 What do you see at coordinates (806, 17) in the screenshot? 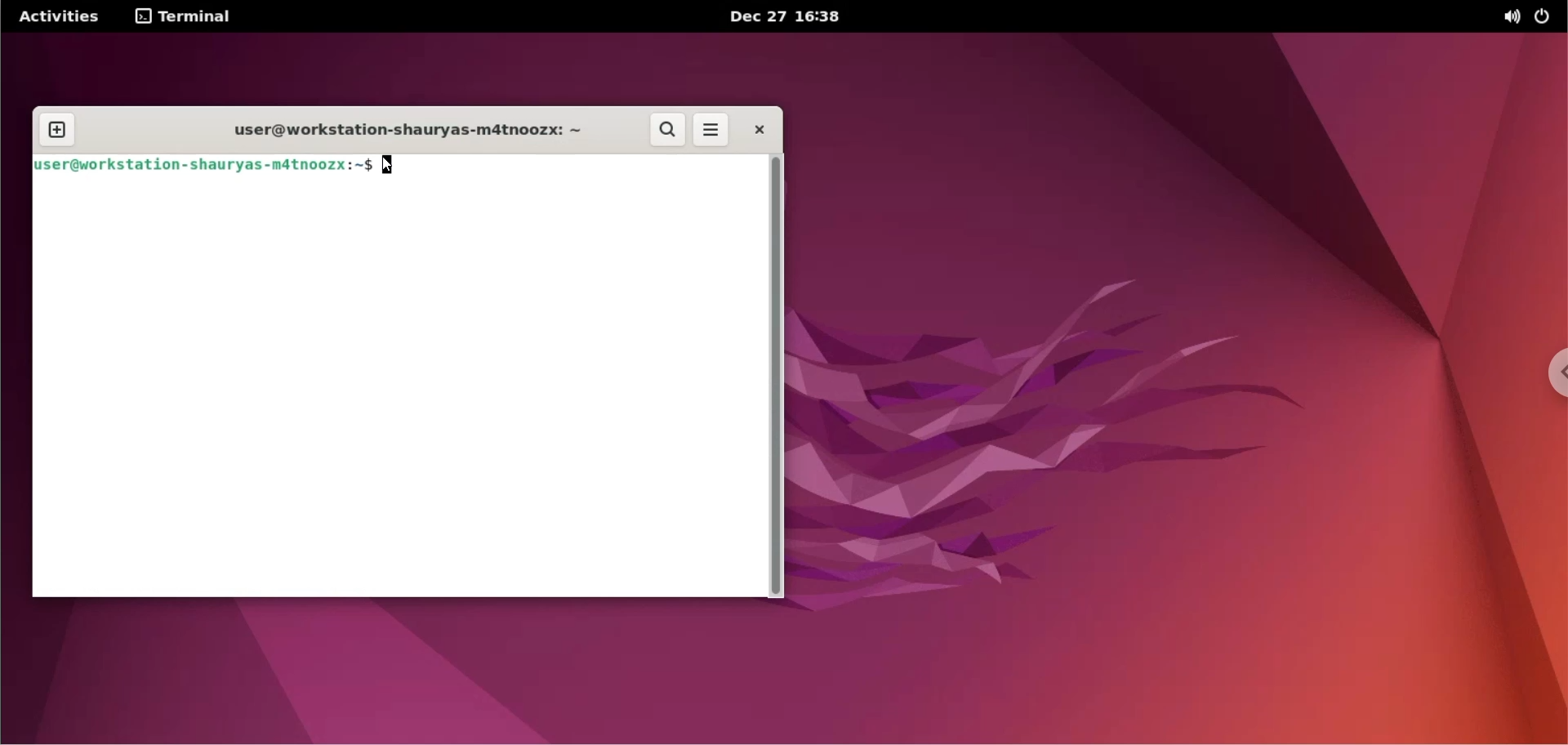
I see `Dec 27 16:38` at bounding box center [806, 17].